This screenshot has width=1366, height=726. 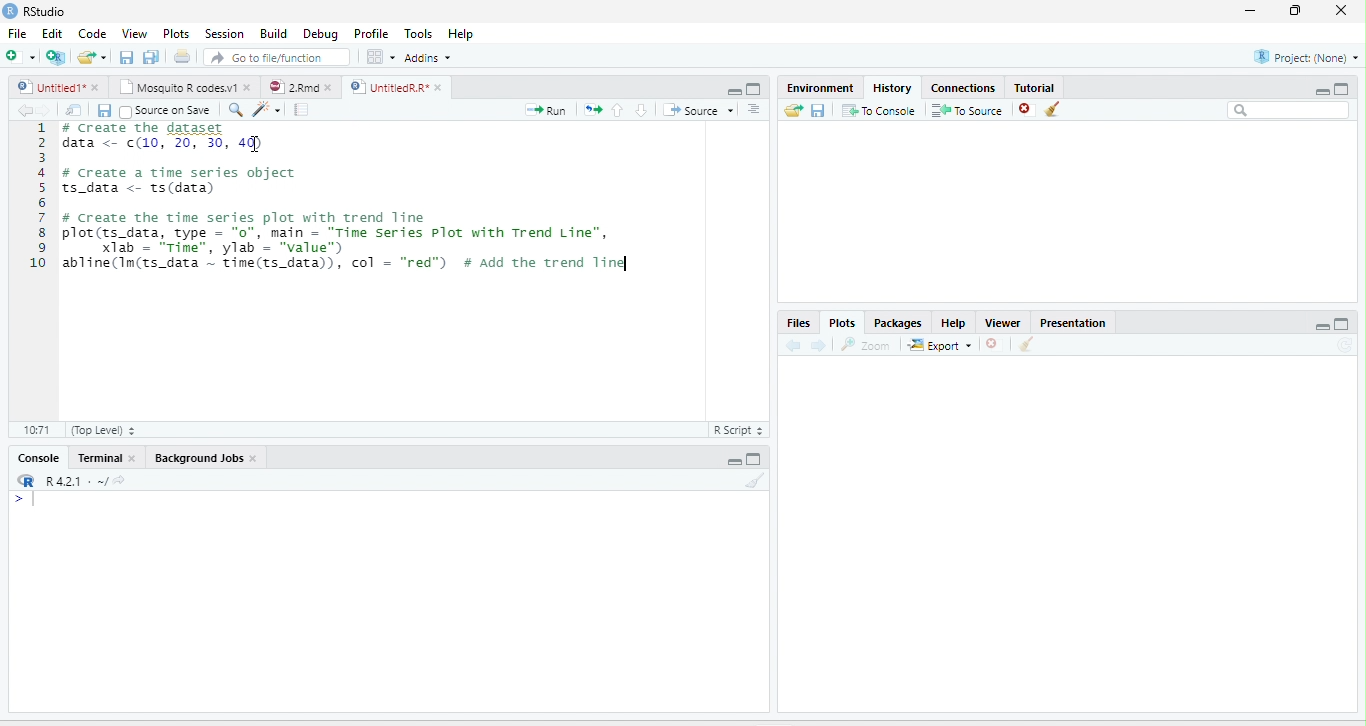 I want to click on View the current working directory, so click(x=120, y=479).